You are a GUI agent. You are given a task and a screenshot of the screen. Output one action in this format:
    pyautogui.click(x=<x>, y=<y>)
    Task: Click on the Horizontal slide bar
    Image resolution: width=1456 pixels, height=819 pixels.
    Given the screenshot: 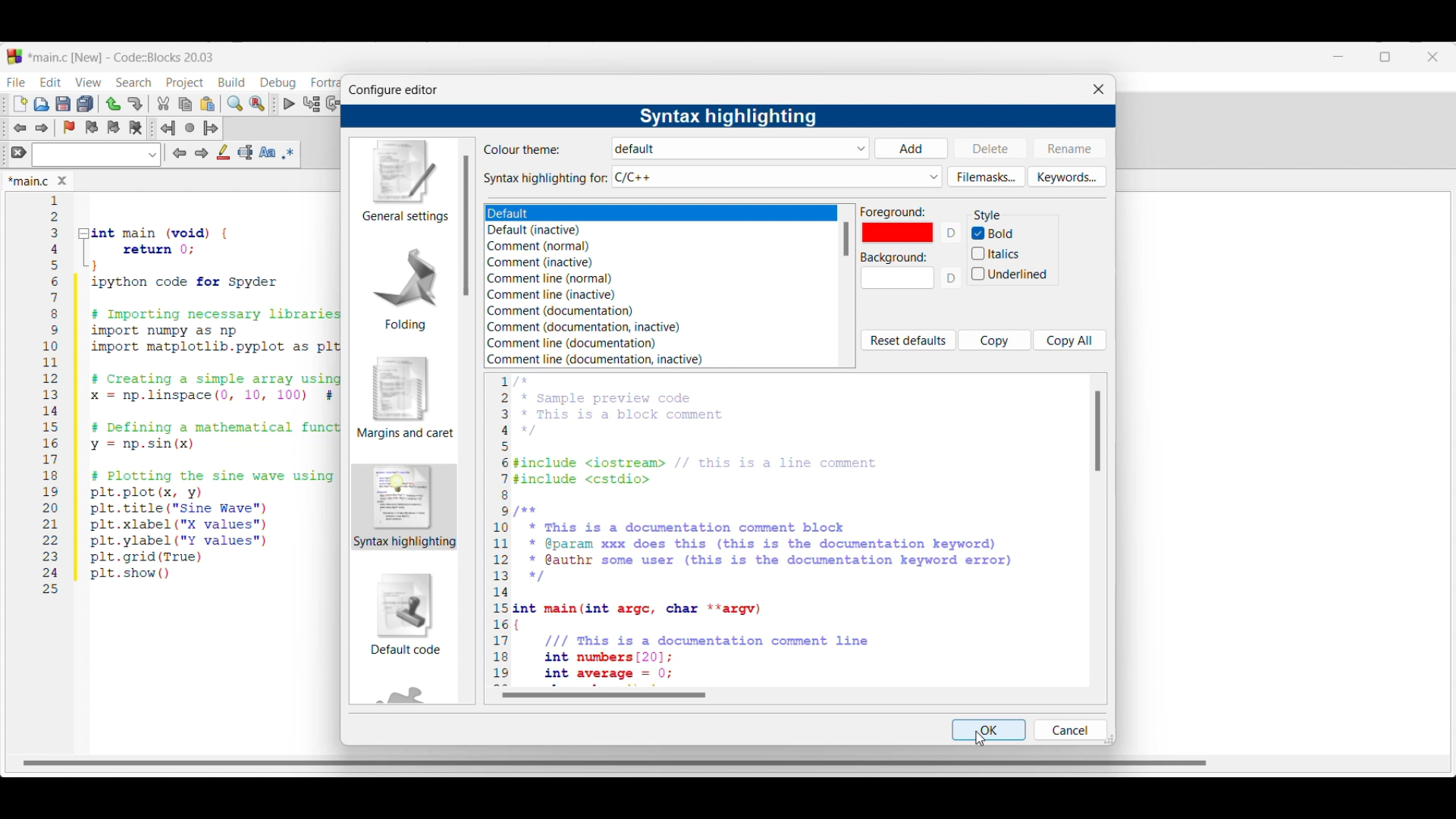 What is the action you would take?
    pyautogui.click(x=604, y=695)
    